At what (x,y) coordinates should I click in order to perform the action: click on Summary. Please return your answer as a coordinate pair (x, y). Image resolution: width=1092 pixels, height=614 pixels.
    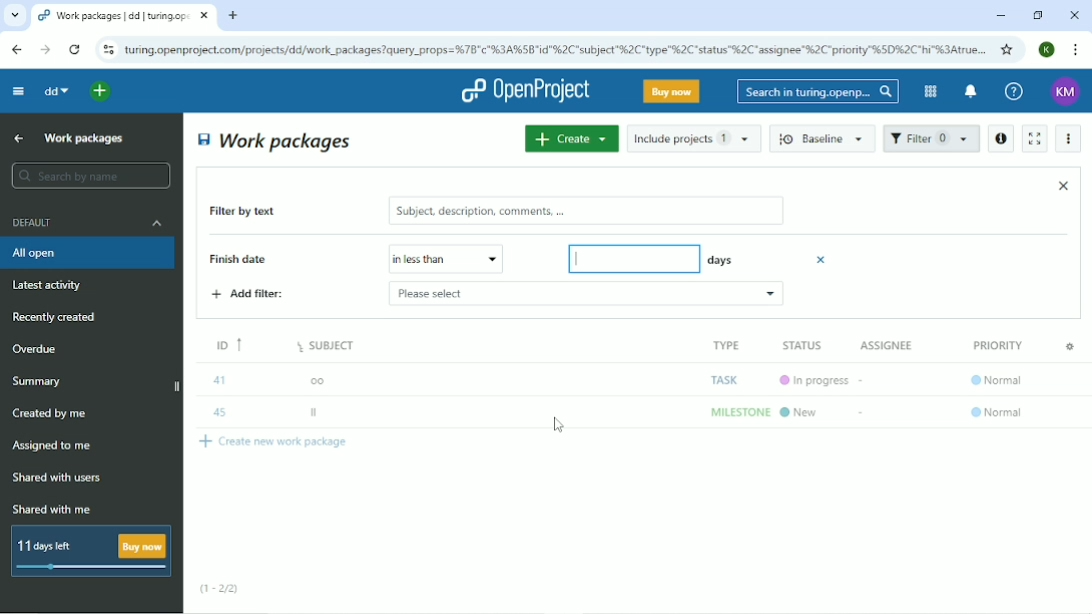
    Looking at the image, I should click on (40, 381).